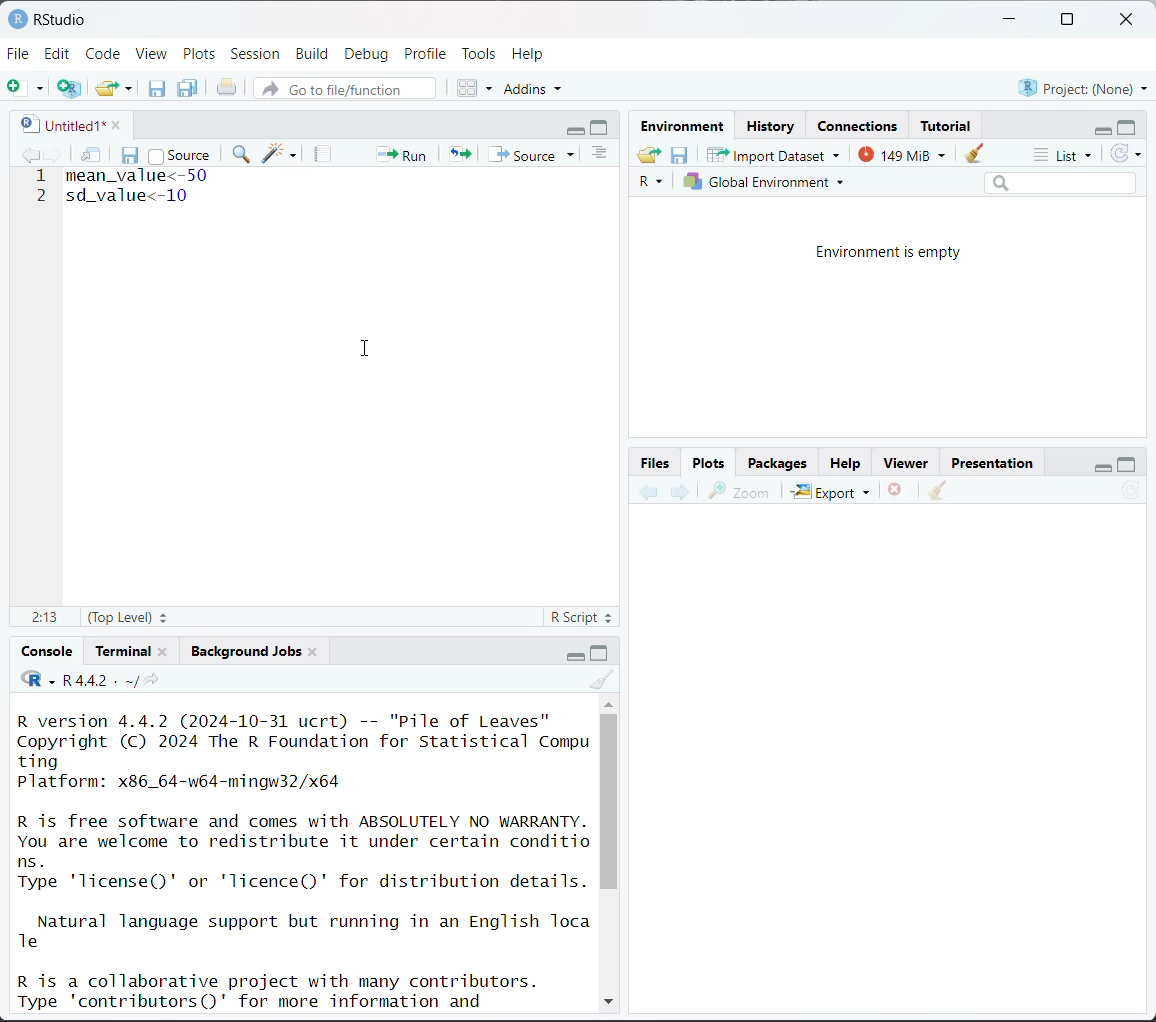 This screenshot has height=1022, width=1156. I want to click on refresh the list, so click(1126, 154).